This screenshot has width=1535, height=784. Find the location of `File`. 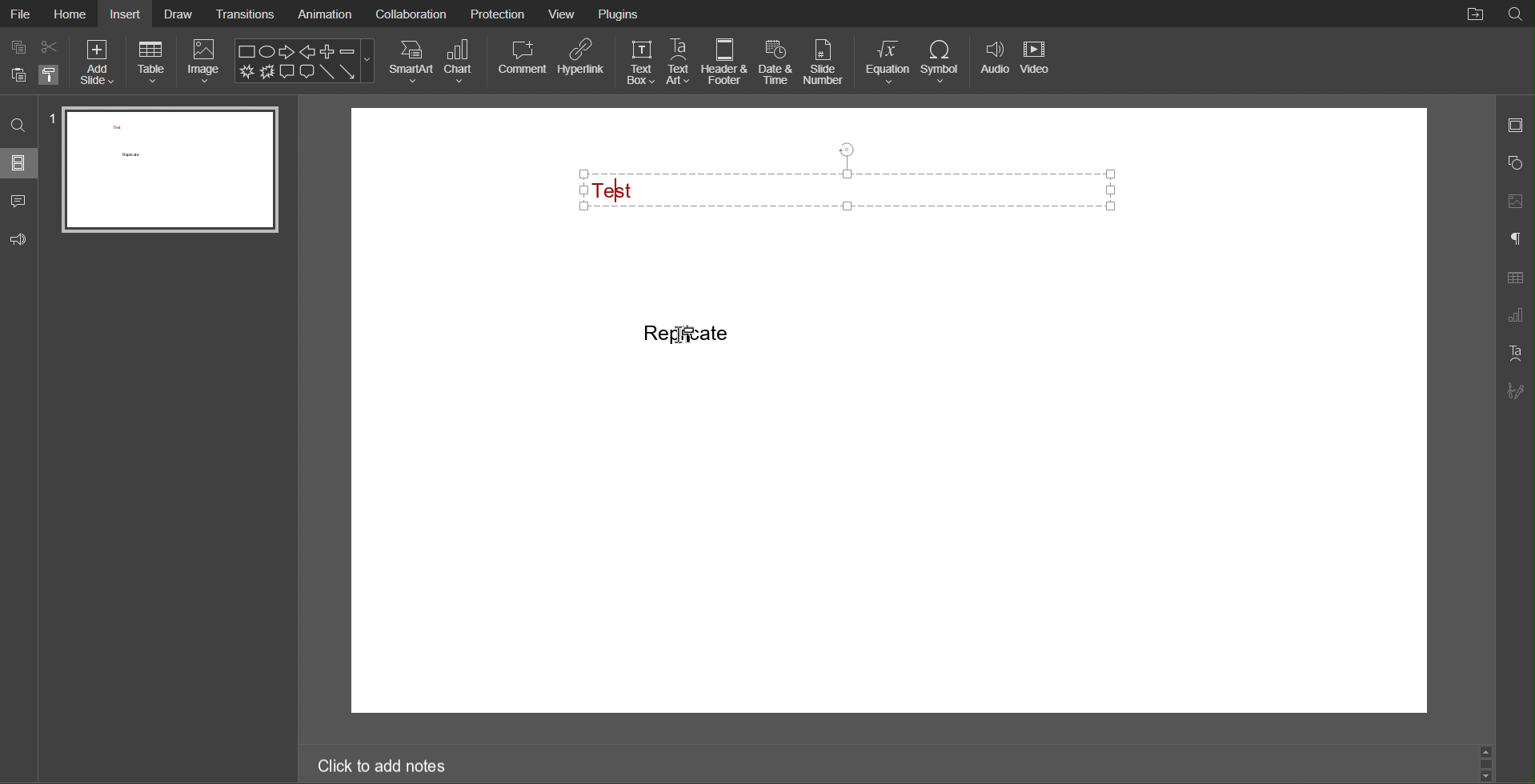

File is located at coordinates (21, 13).